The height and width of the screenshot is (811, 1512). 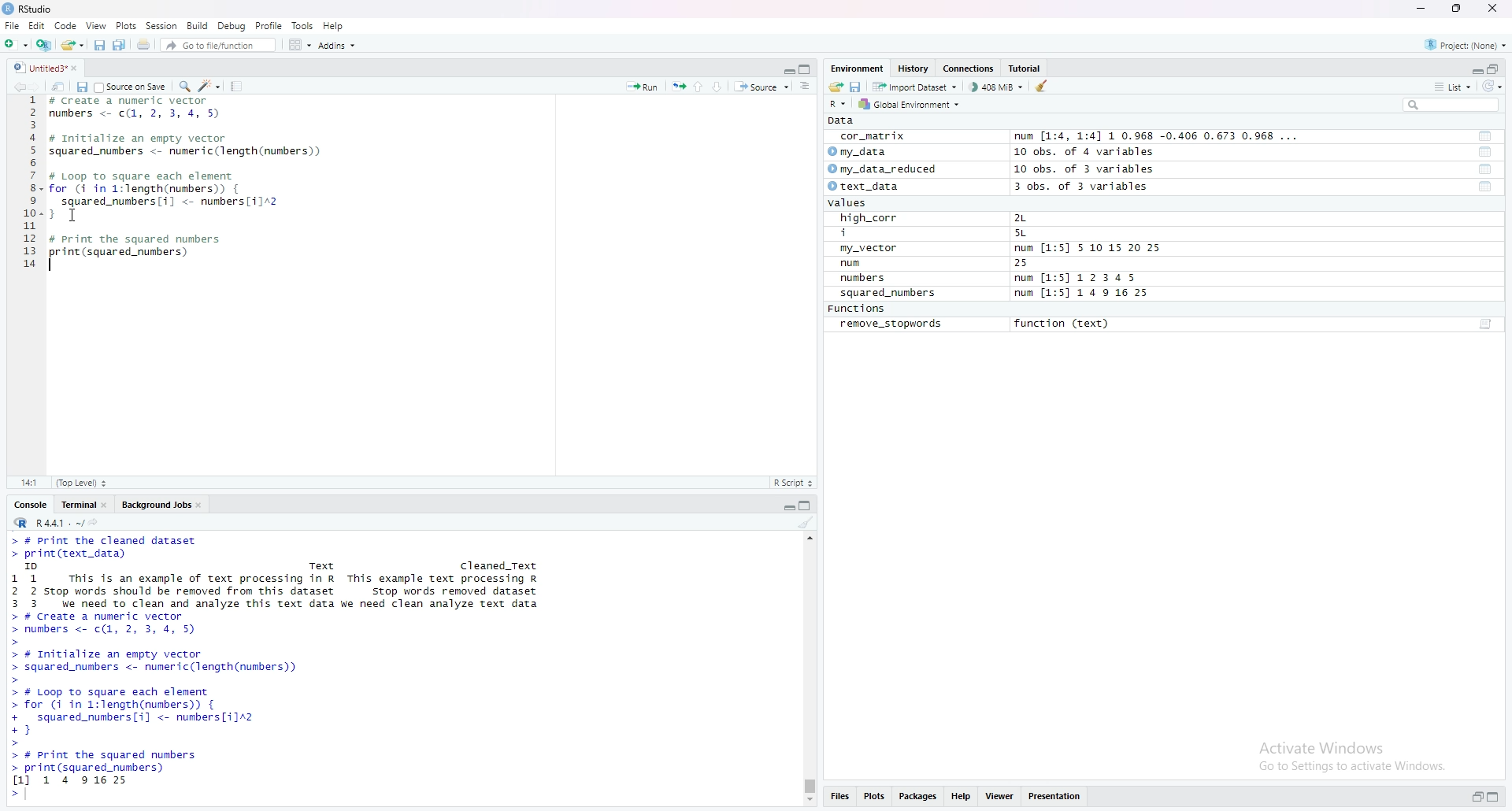 I want to click on History., so click(x=915, y=68).